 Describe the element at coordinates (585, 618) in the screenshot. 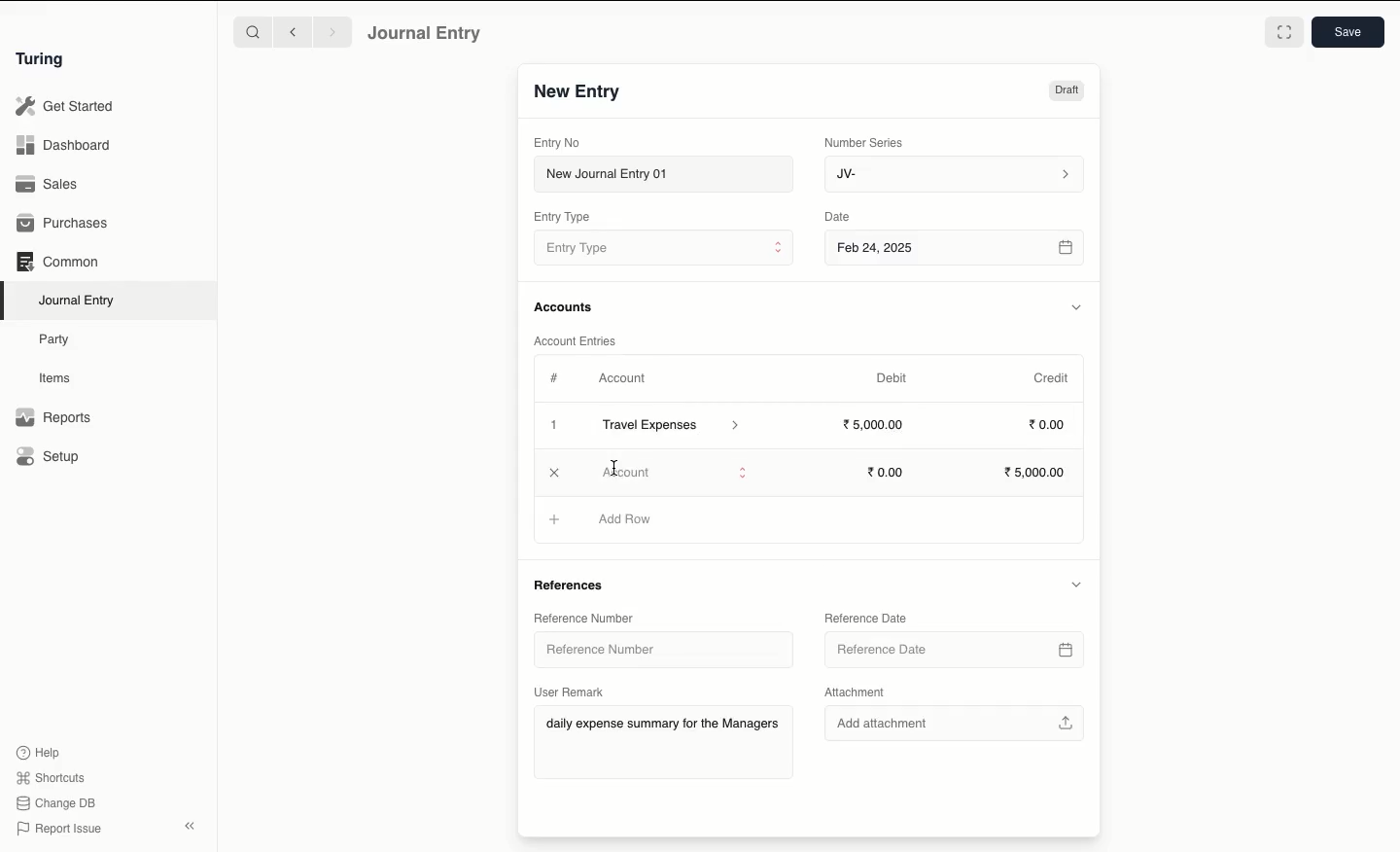

I see `Reference Number` at that location.